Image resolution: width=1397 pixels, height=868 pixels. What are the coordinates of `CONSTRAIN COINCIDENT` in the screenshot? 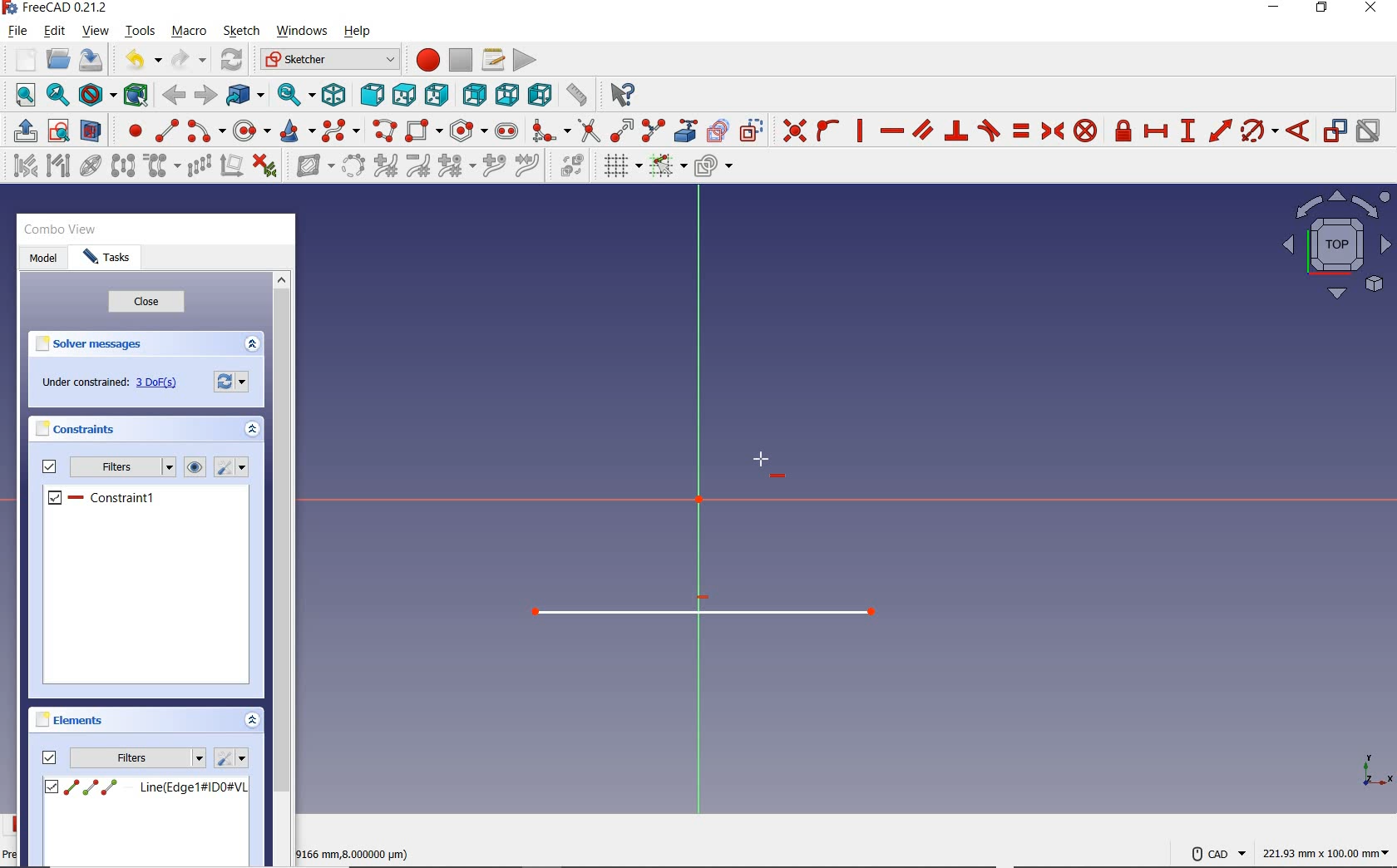 It's located at (795, 129).